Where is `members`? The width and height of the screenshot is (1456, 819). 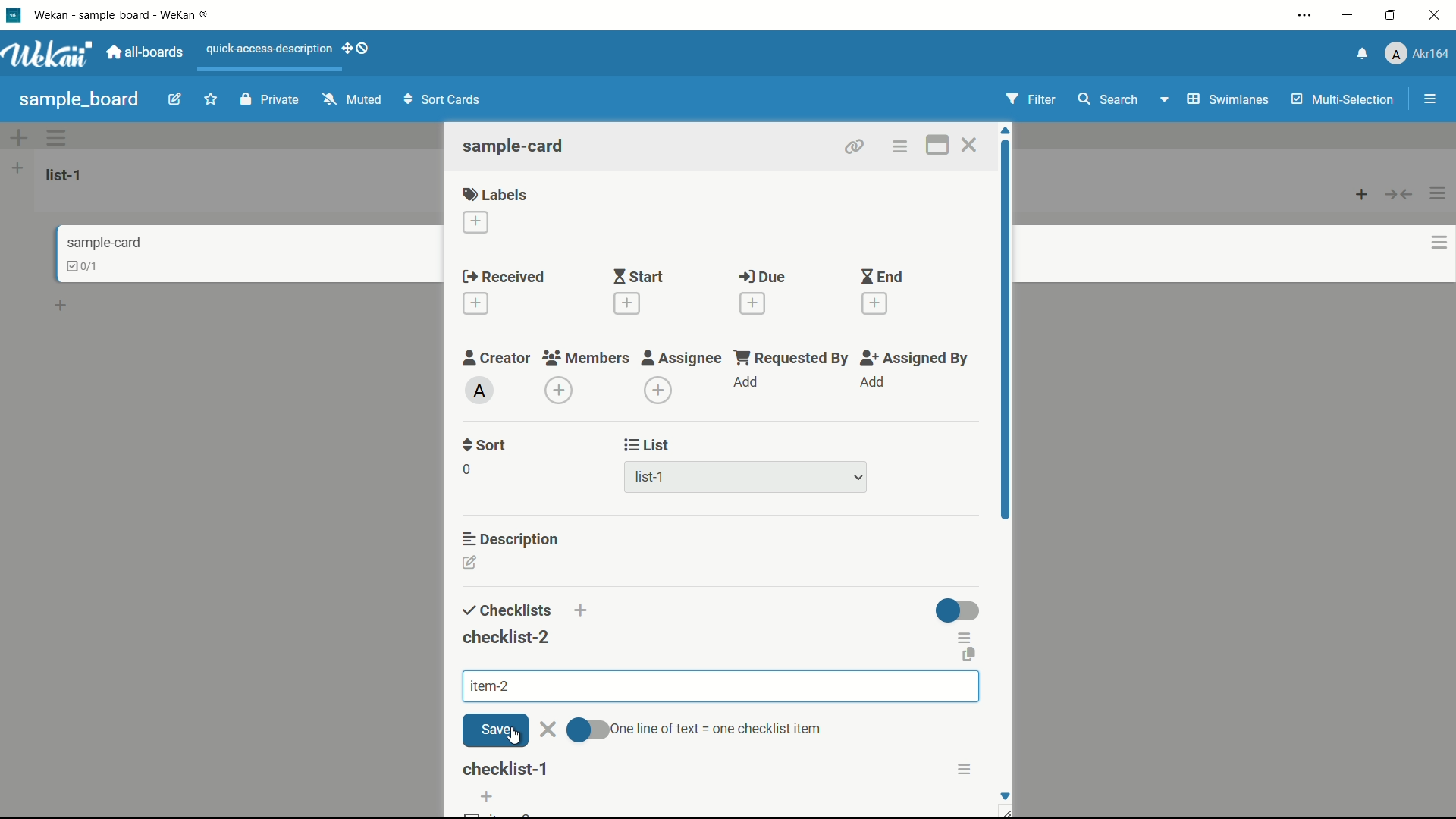
members is located at coordinates (585, 359).